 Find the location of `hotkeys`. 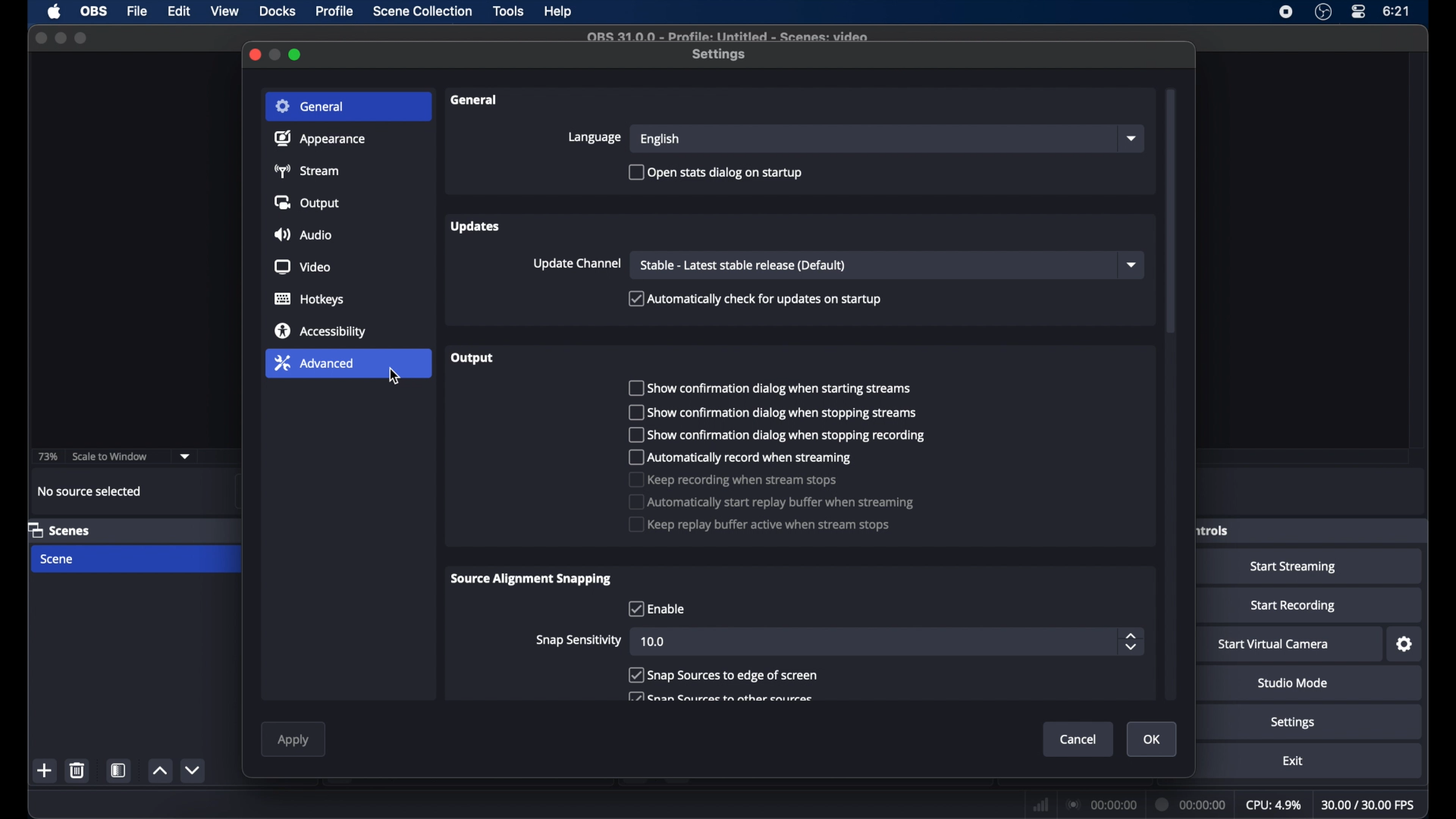

hotkeys is located at coordinates (309, 299).